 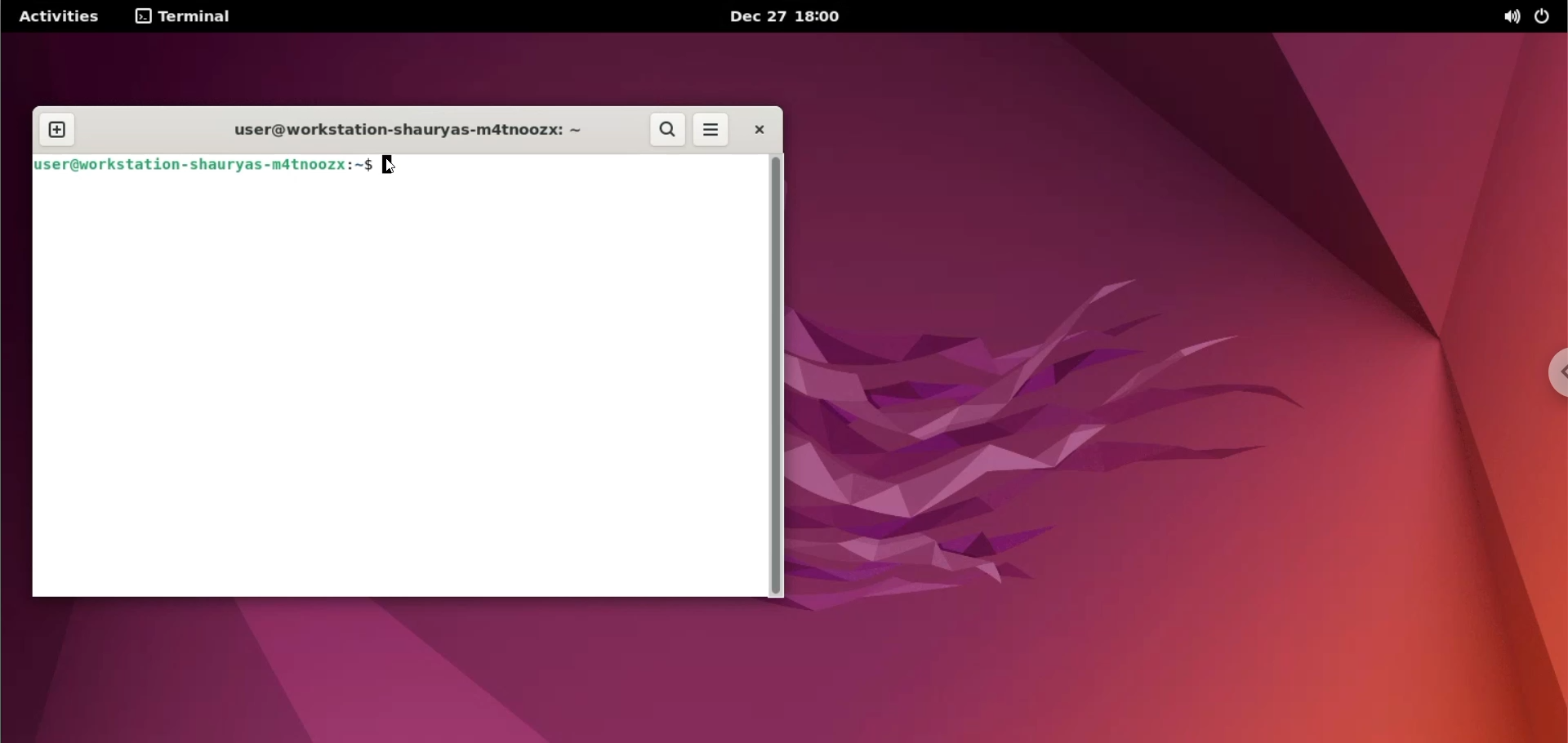 I want to click on menu, so click(x=711, y=130).